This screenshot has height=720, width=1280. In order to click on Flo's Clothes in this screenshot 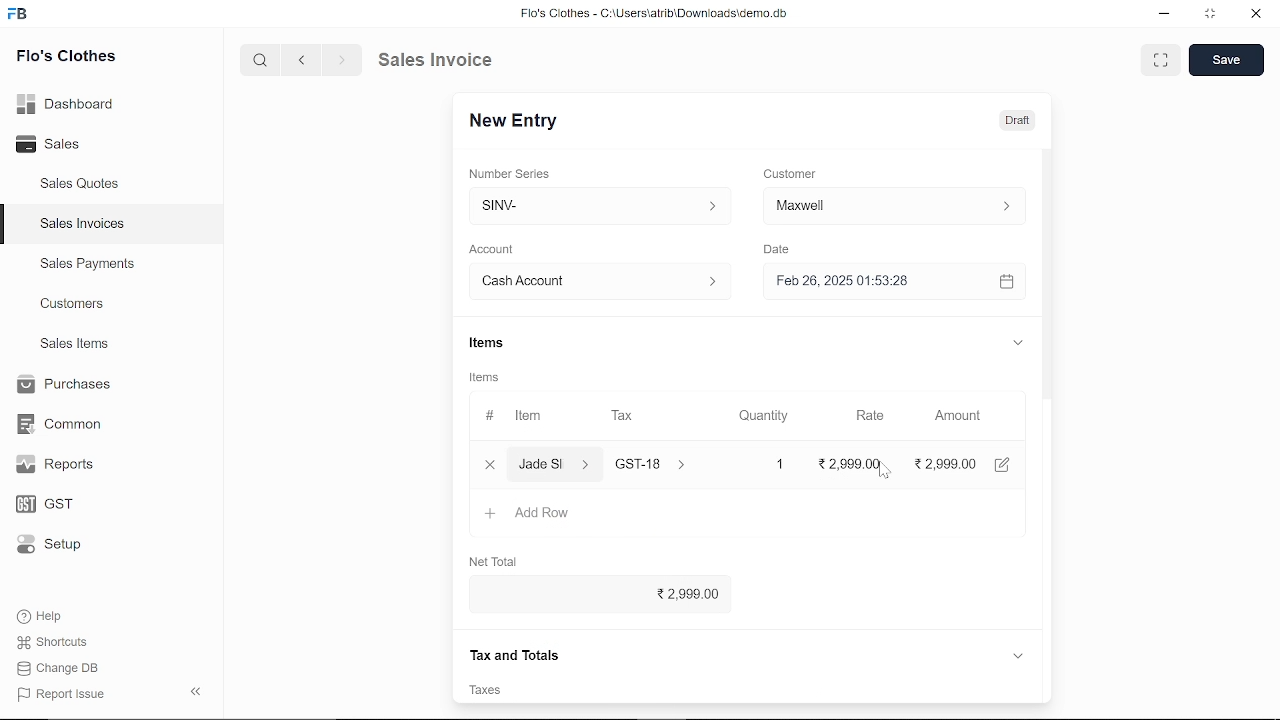, I will do `click(66, 58)`.